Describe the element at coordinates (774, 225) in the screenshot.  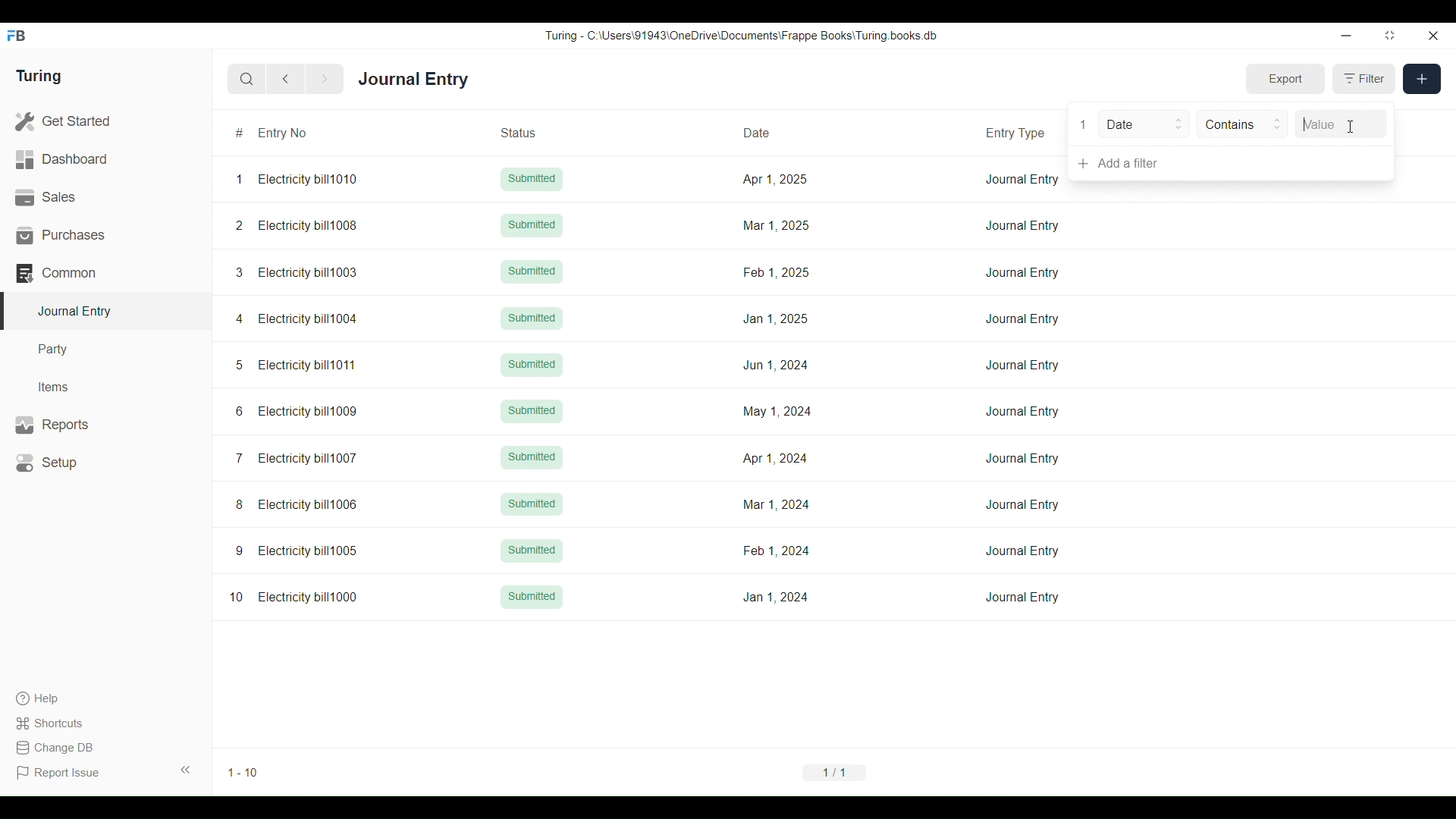
I see `Mar 1, 2025` at that location.